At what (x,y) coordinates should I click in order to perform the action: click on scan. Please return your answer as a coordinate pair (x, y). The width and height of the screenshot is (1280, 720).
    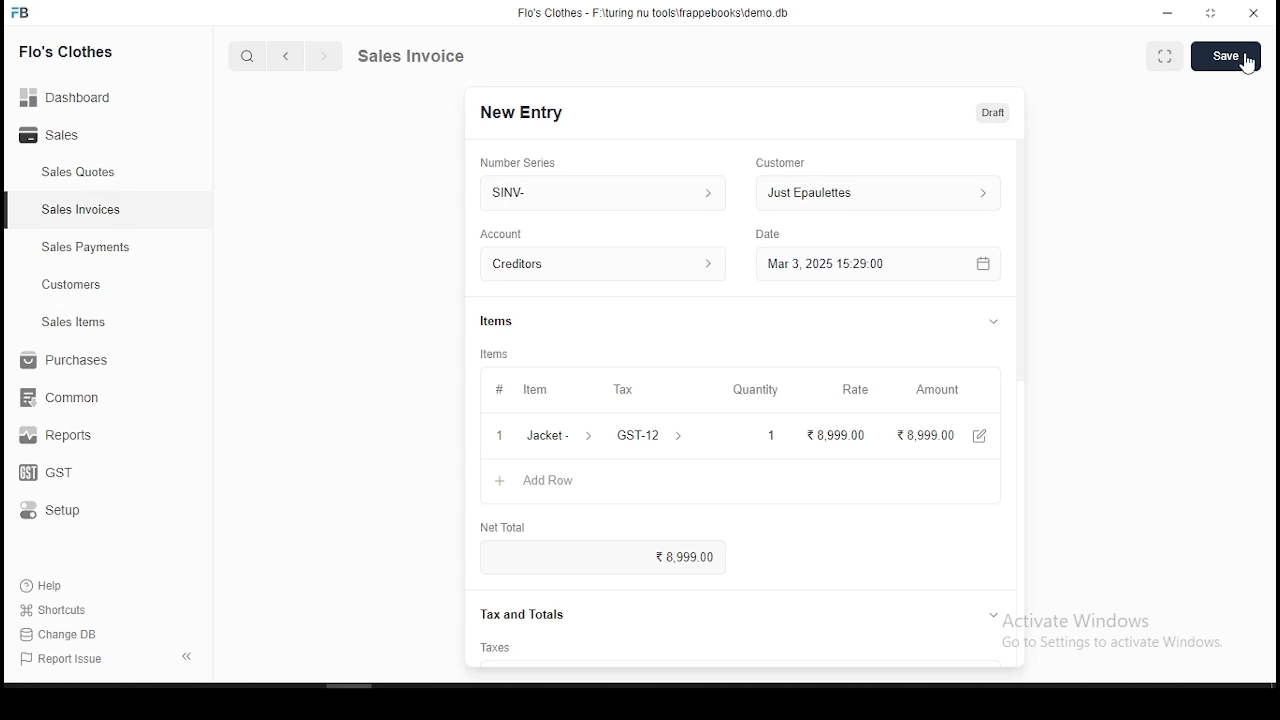
    Looking at the image, I should click on (1167, 56).